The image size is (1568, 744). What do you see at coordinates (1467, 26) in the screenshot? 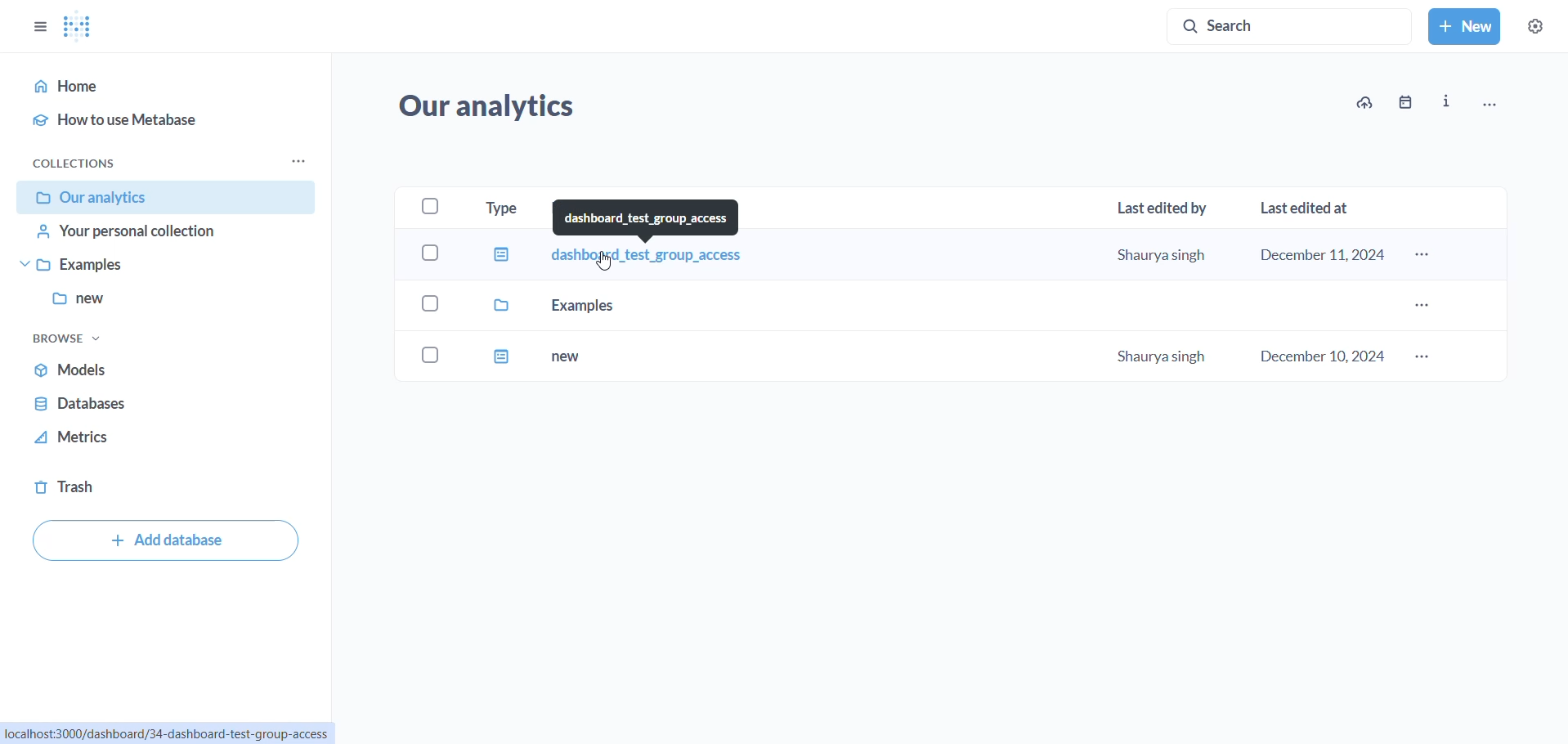
I see `new` at bounding box center [1467, 26].